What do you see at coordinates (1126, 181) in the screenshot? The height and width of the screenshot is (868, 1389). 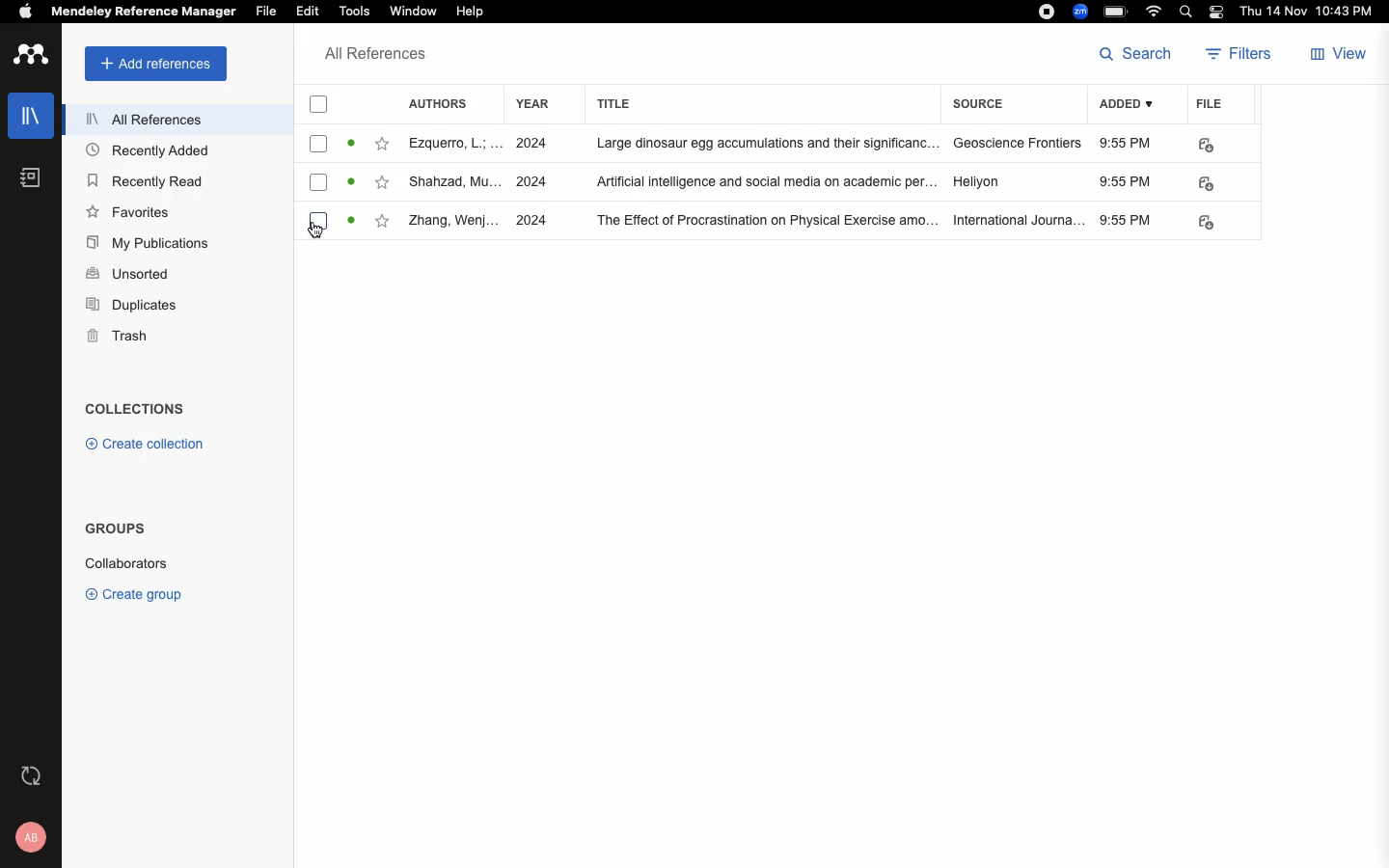 I see `9:55 PM` at bounding box center [1126, 181].